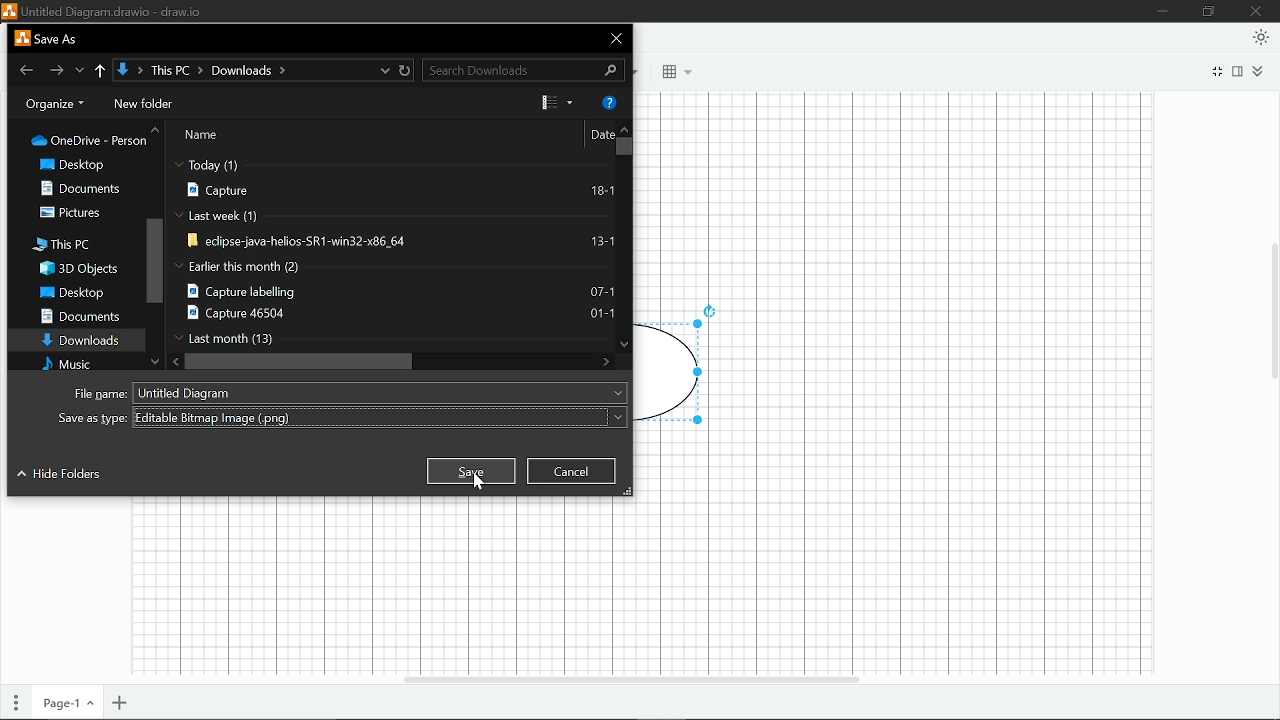 The width and height of the screenshot is (1280, 720). Describe the element at coordinates (1272, 301) in the screenshot. I see `Vertical scrollar` at that location.